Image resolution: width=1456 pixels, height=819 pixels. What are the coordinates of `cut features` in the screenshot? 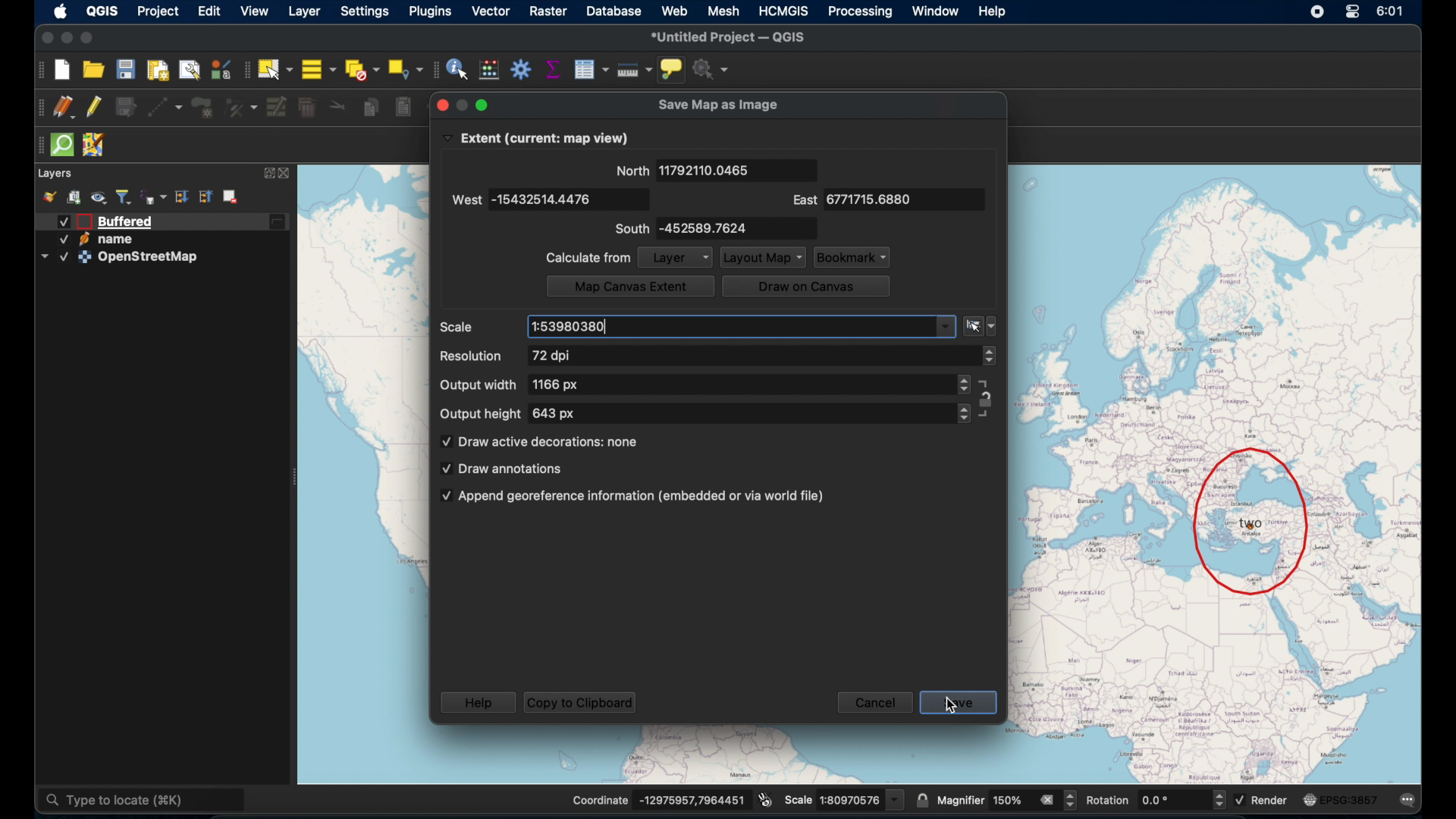 It's located at (335, 105).